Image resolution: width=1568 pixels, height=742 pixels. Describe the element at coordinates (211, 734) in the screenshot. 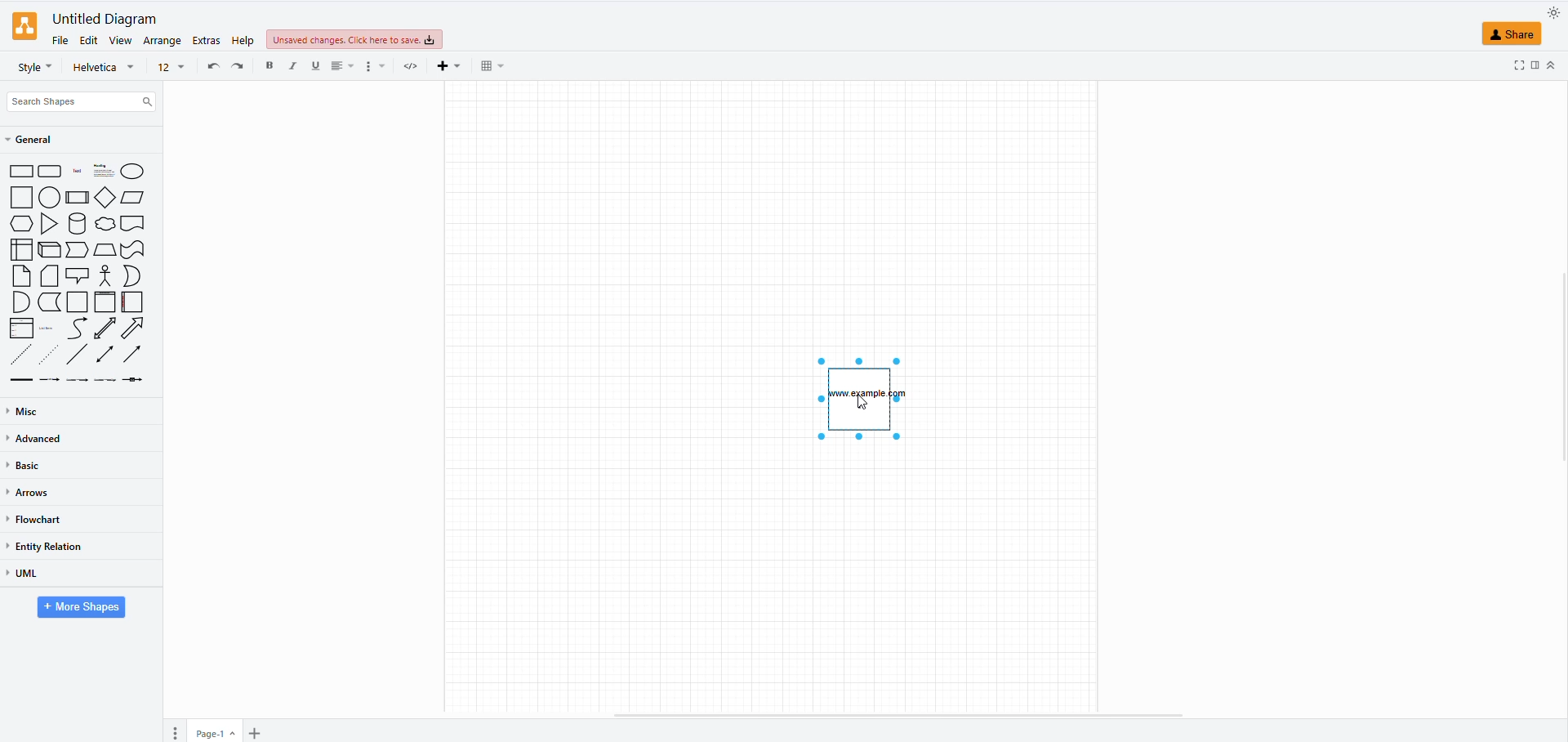

I see `page 1` at that location.